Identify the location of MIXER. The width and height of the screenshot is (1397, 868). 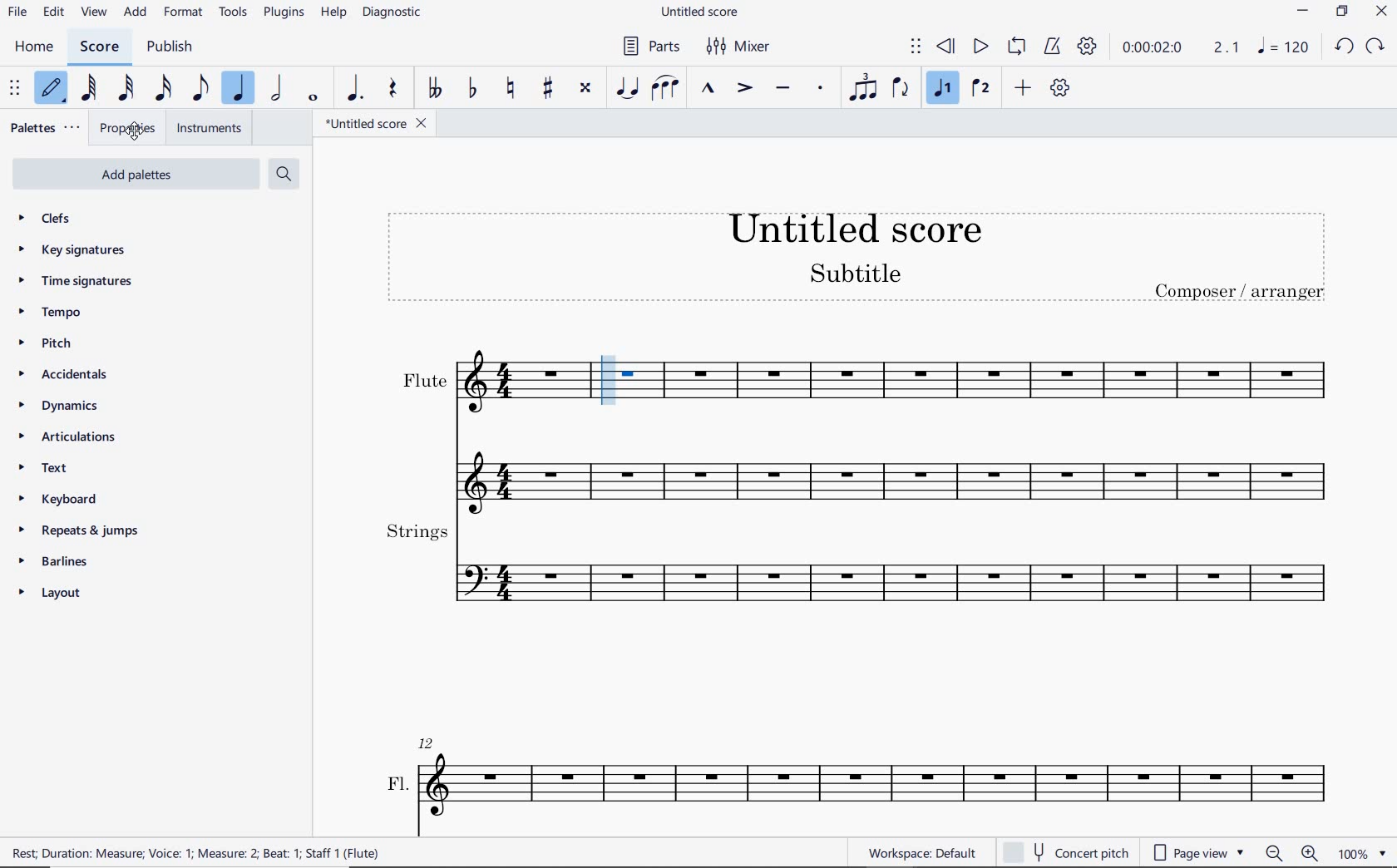
(740, 47).